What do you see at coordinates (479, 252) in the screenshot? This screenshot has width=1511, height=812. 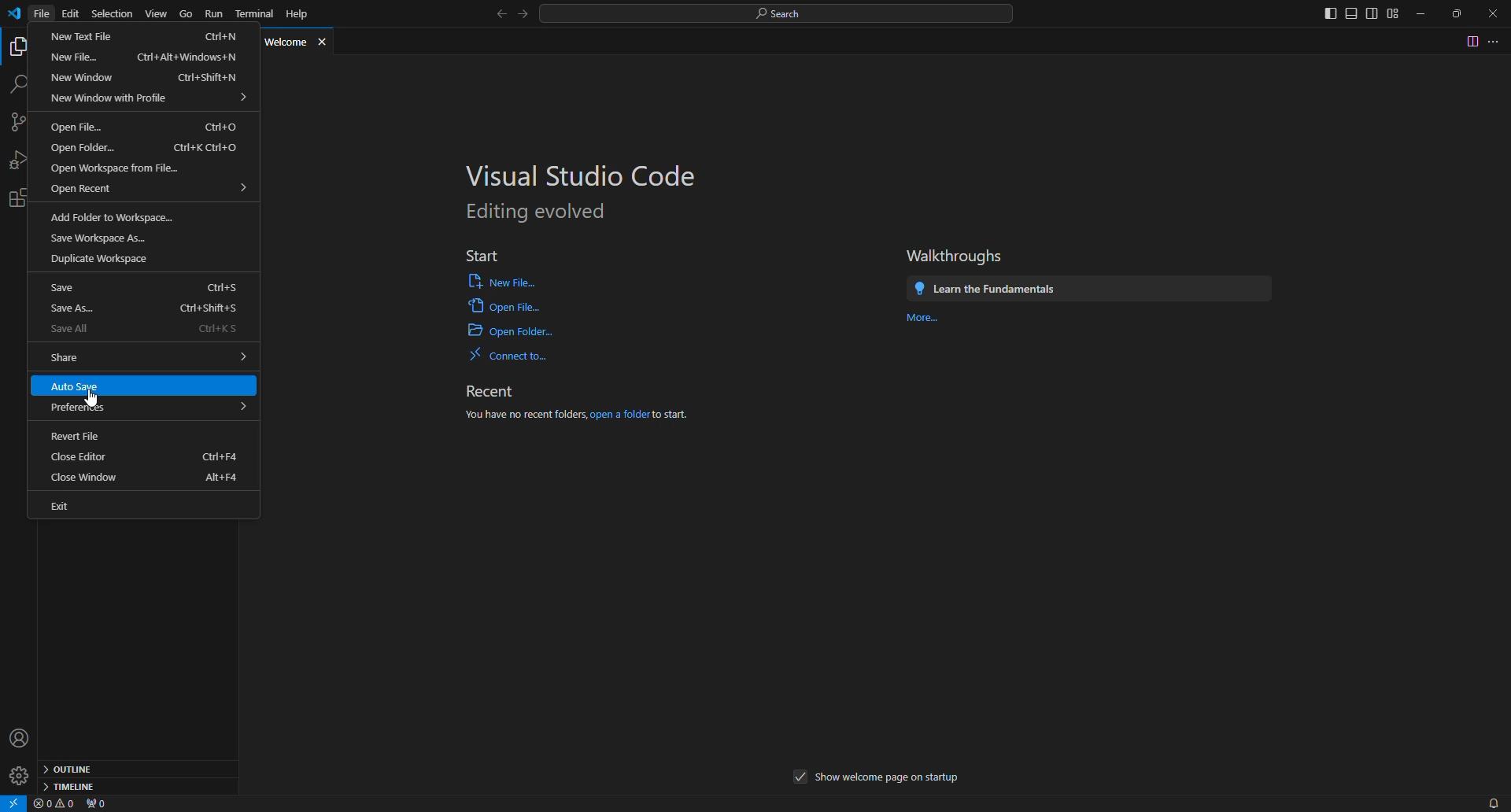 I see `start` at bounding box center [479, 252].